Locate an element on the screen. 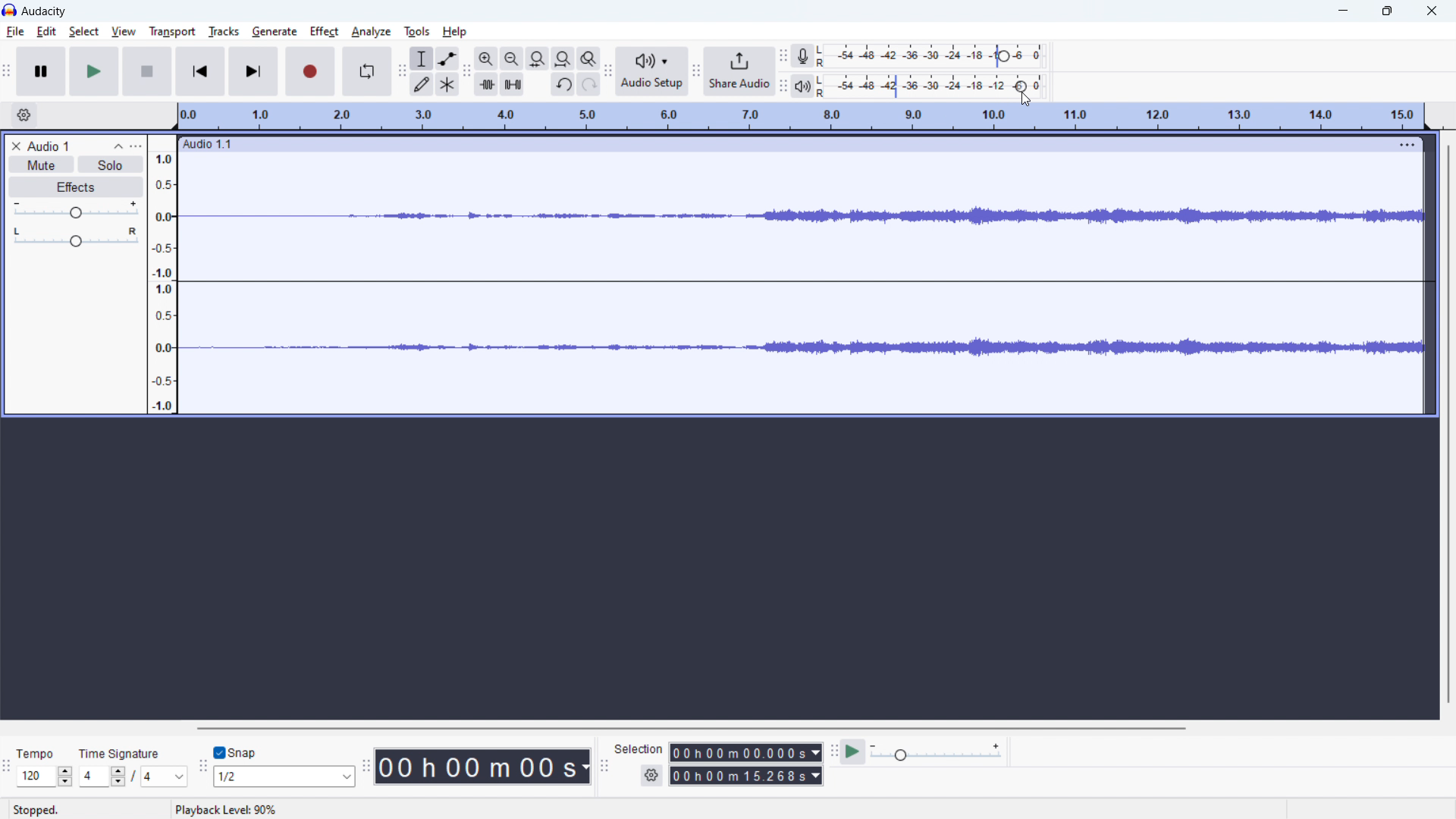 The image size is (1456, 819). end time is located at coordinates (745, 776).